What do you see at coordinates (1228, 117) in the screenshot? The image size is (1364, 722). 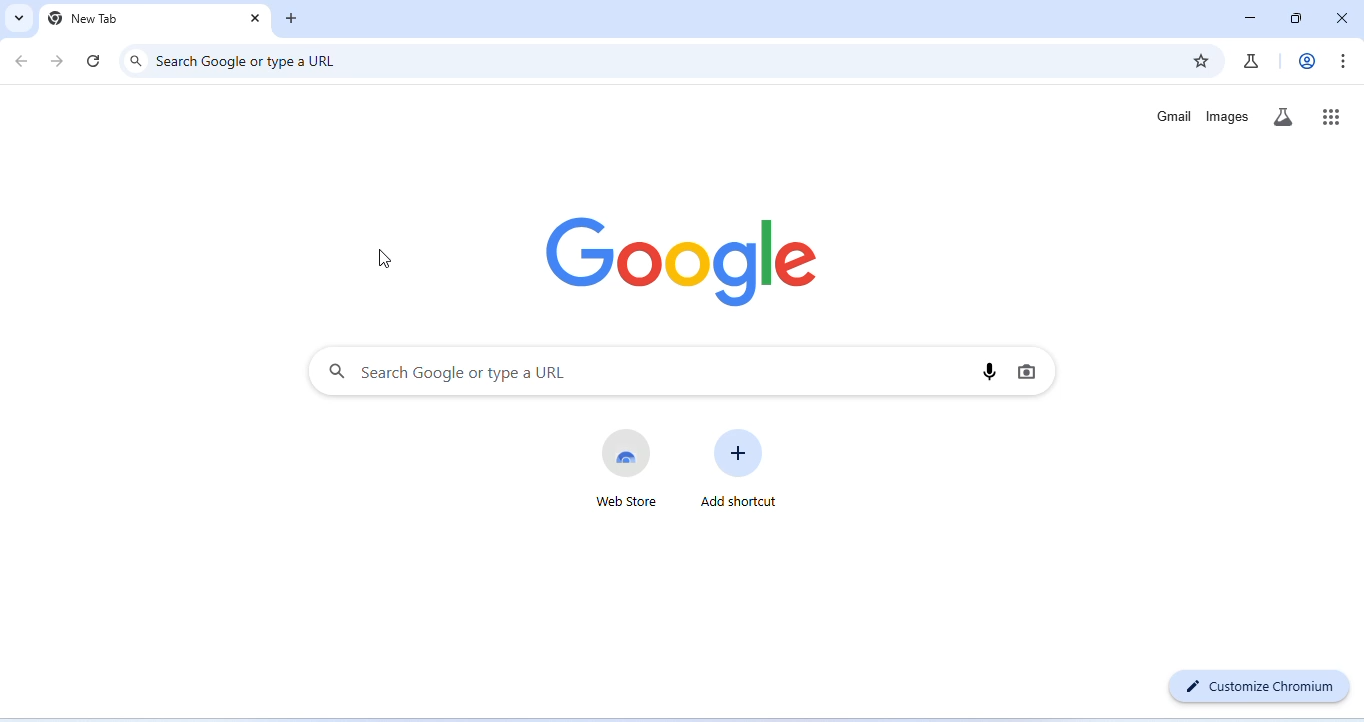 I see `images` at bounding box center [1228, 117].